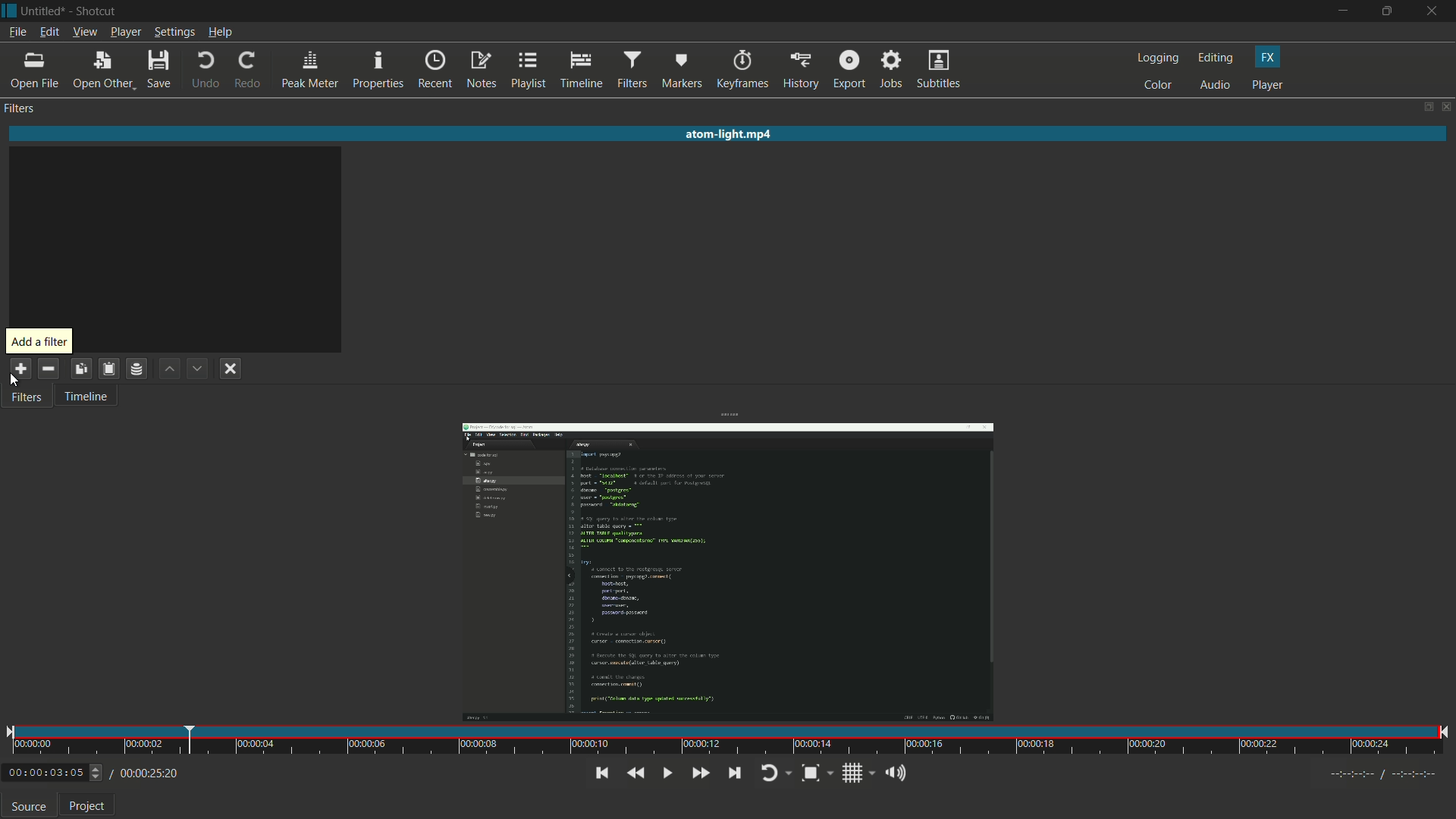 This screenshot has height=819, width=1456. Describe the element at coordinates (84, 398) in the screenshot. I see `timeline` at that location.